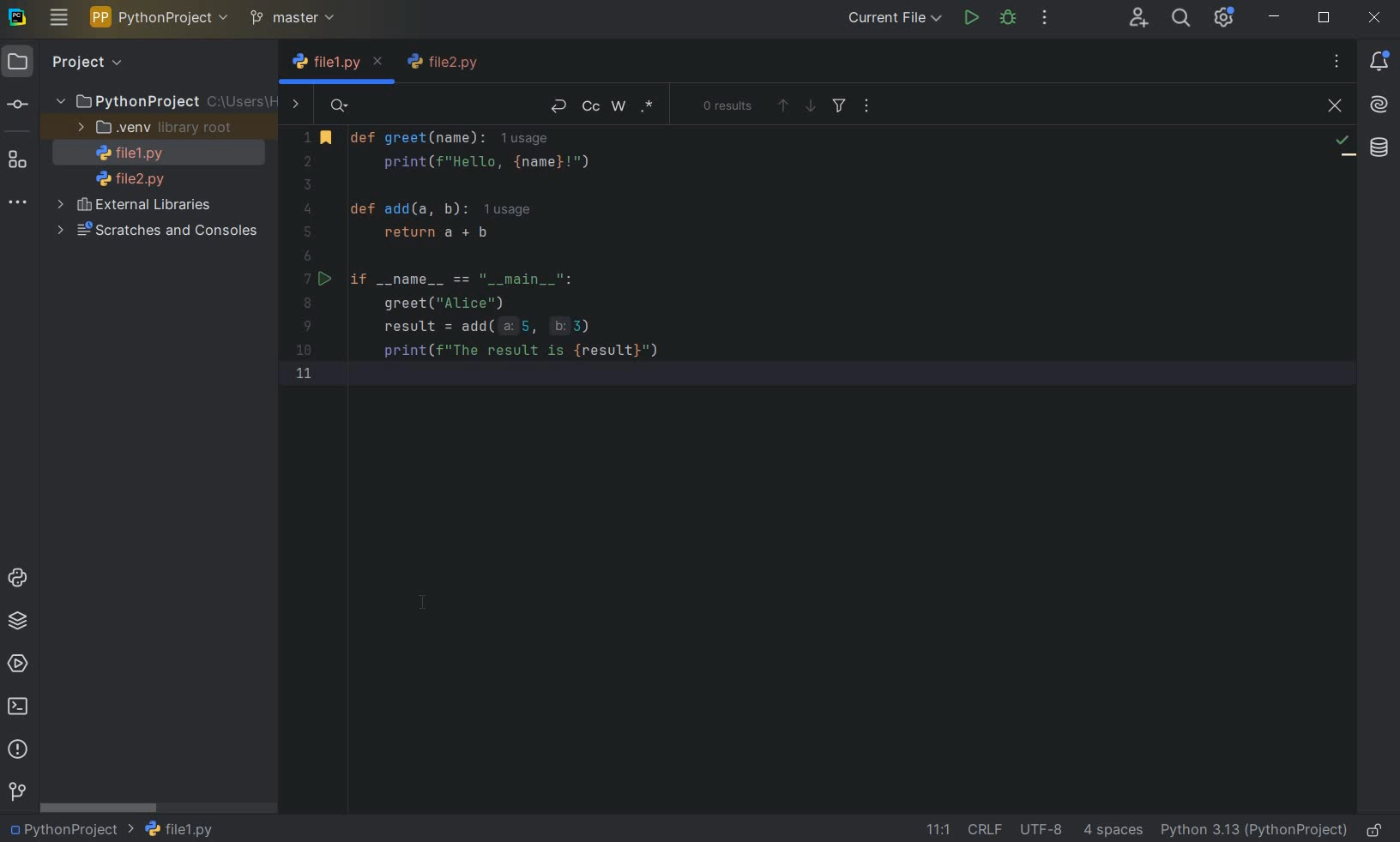  What do you see at coordinates (70, 830) in the screenshot?
I see `PROJECT NAME` at bounding box center [70, 830].